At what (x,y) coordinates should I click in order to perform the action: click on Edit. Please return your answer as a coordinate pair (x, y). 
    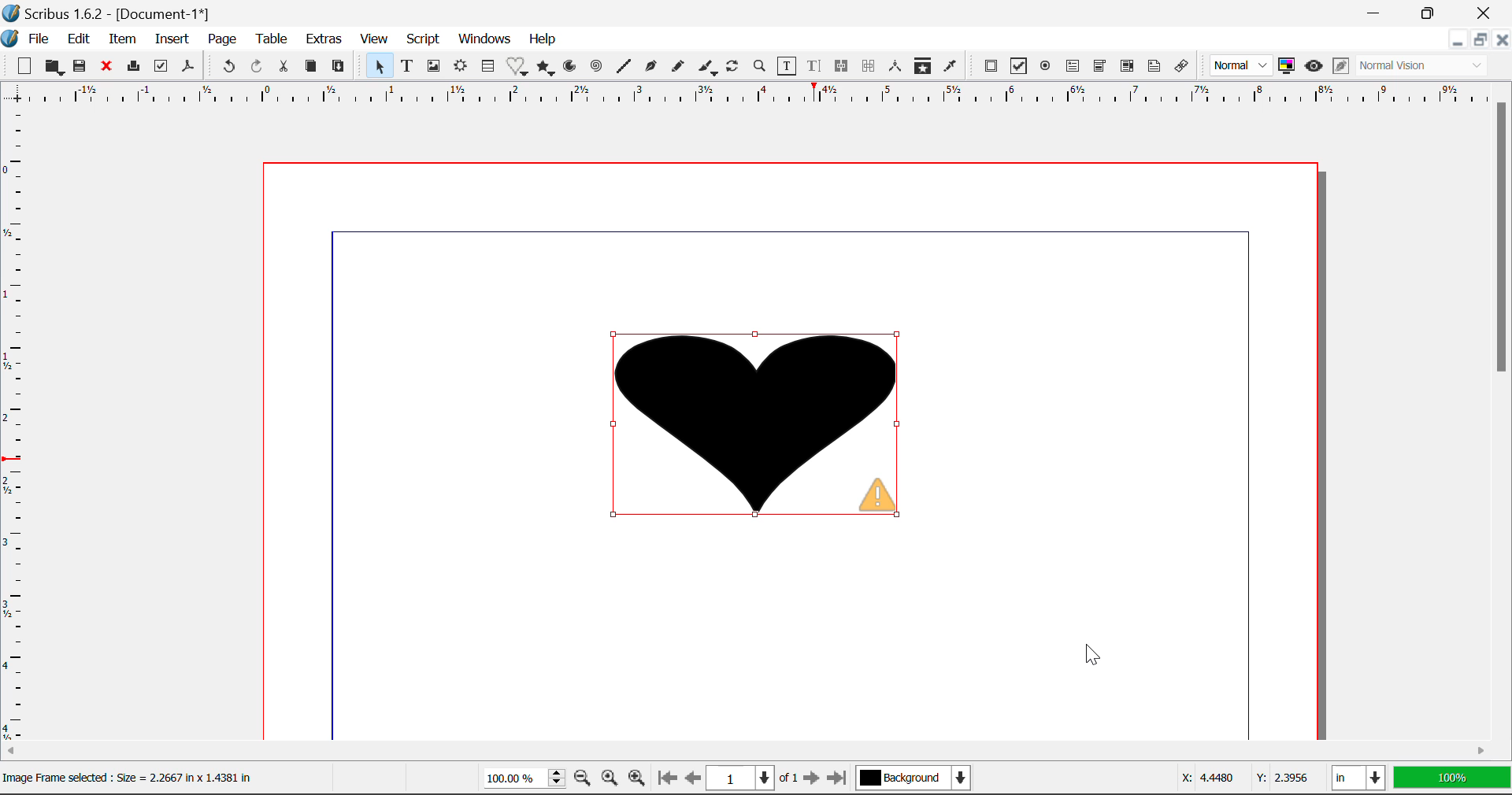
    Looking at the image, I should click on (79, 39).